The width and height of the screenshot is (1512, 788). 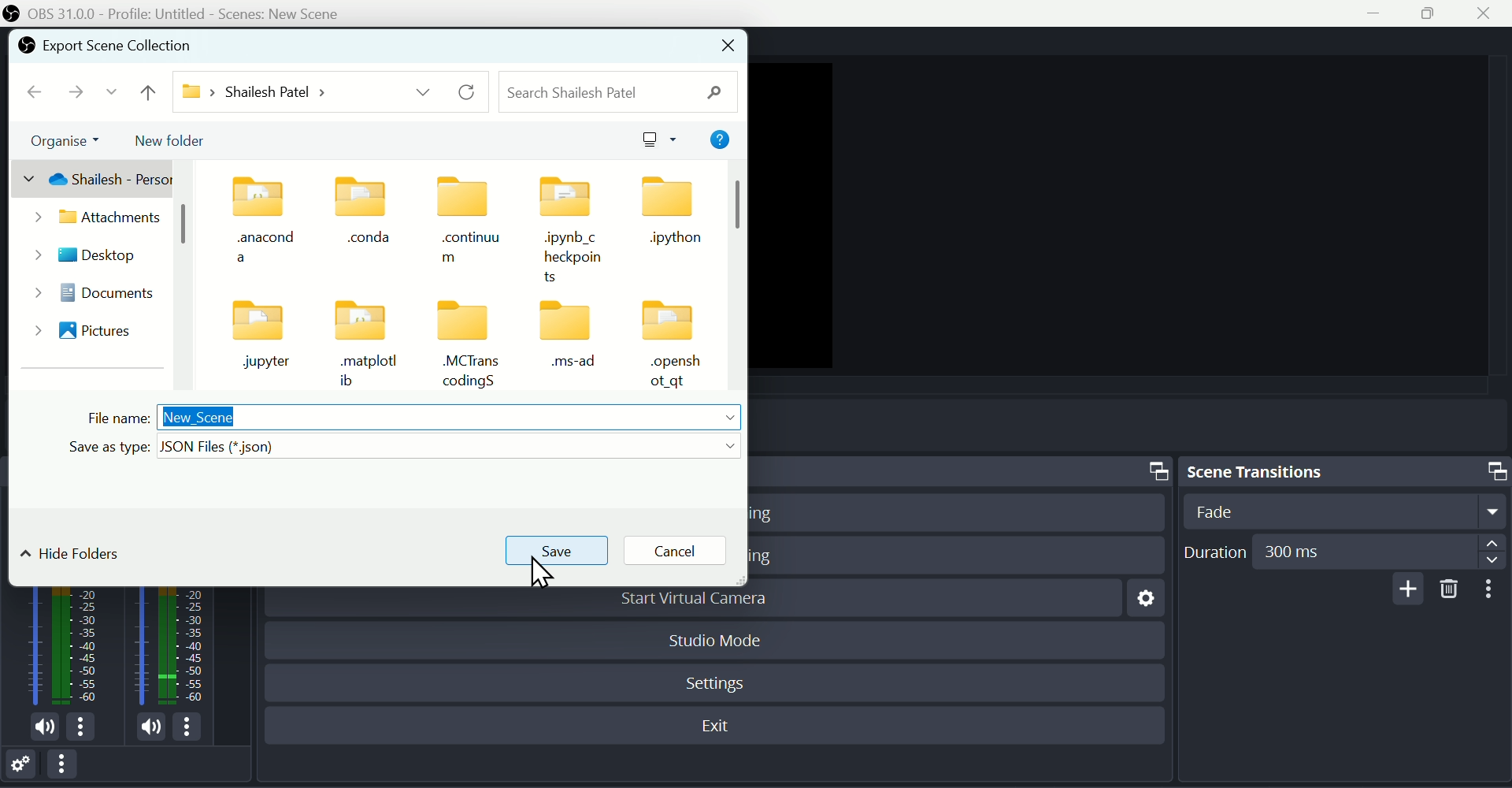 What do you see at coordinates (1404, 589) in the screenshot?
I see `Add` at bounding box center [1404, 589].